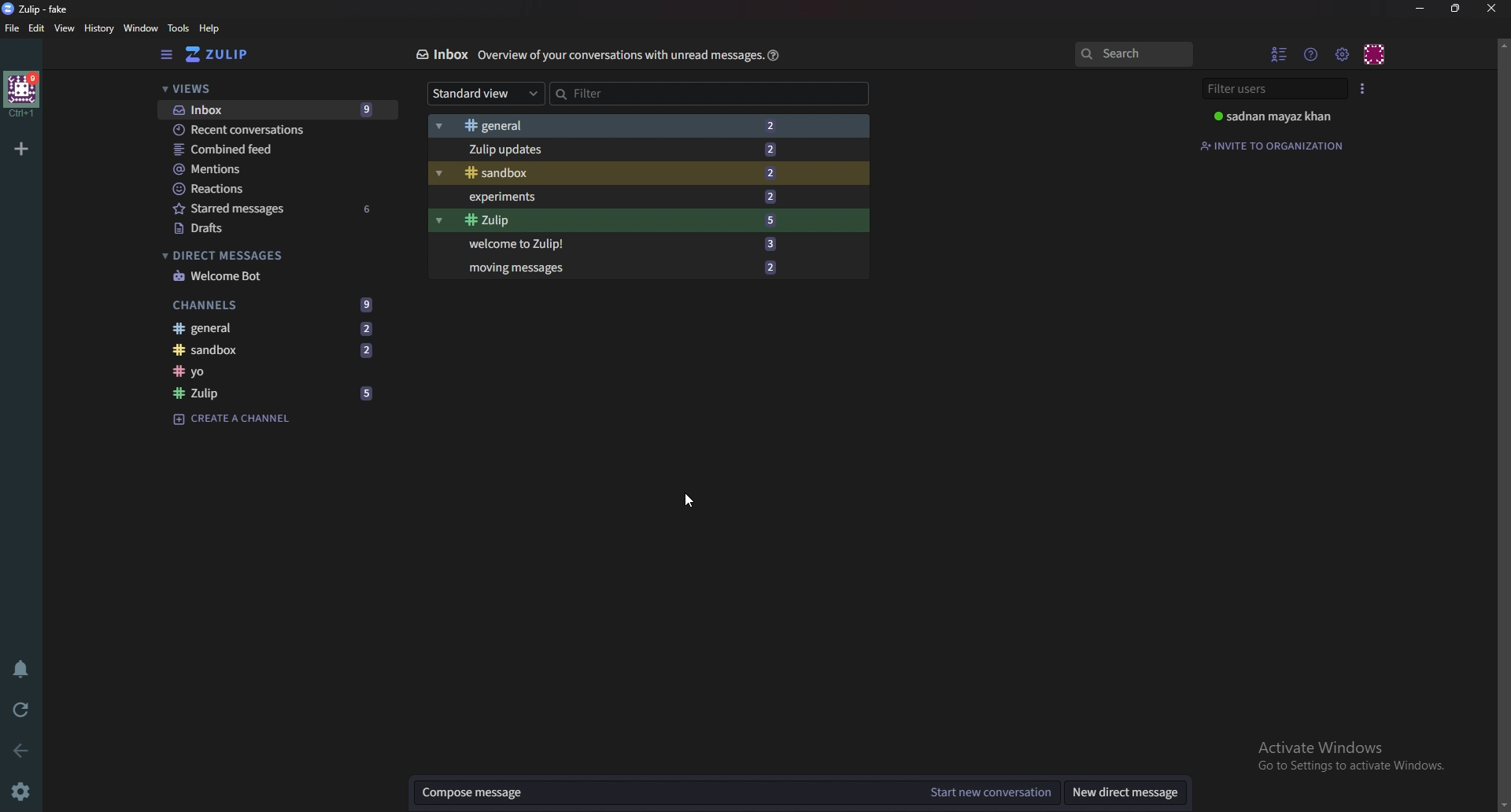 The width and height of the screenshot is (1511, 812). Describe the element at coordinates (626, 268) in the screenshot. I see `Moving messages` at that location.